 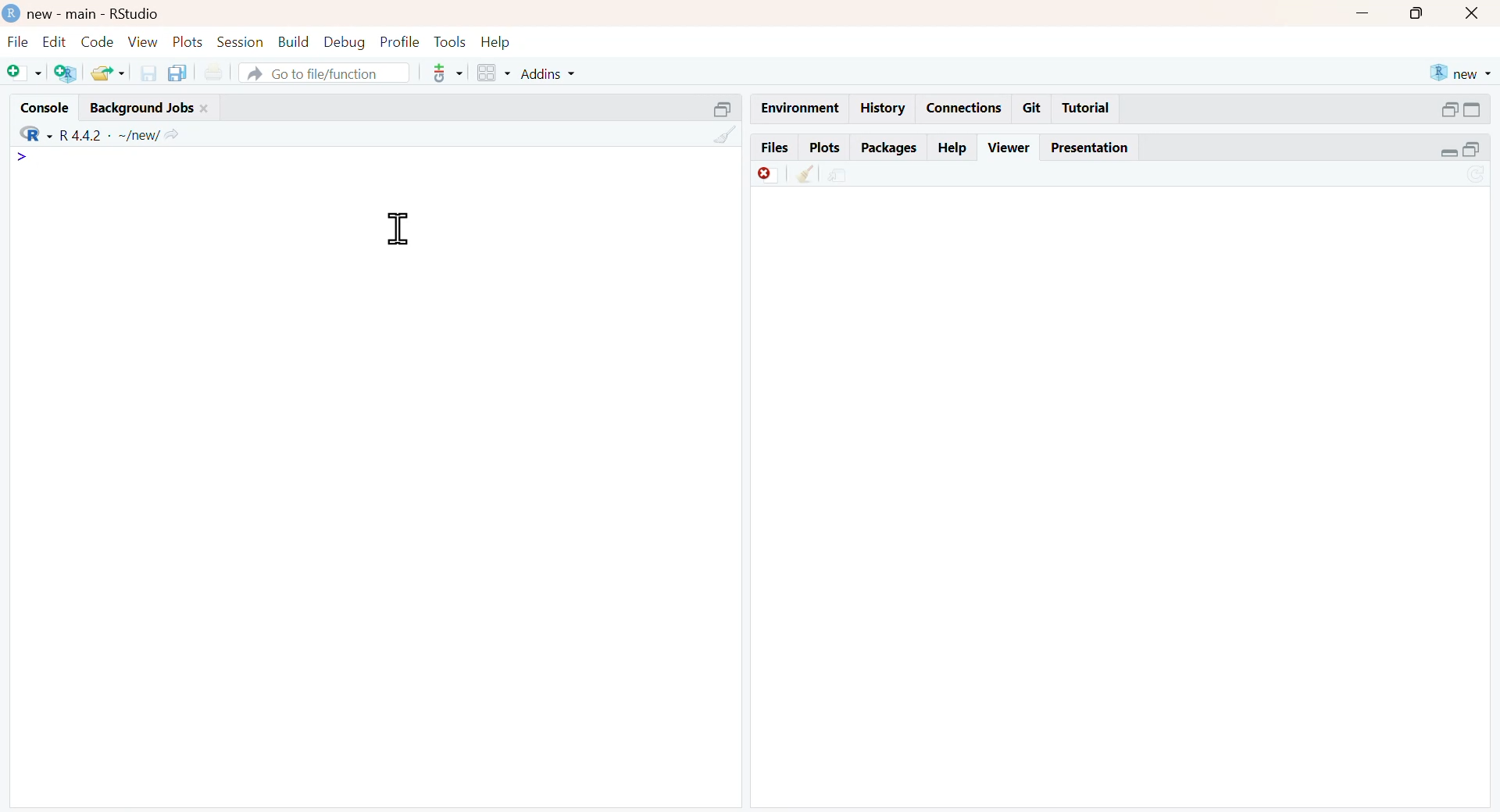 What do you see at coordinates (1462, 109) in the screenshot?
I see `minimize/maximize` at bounding box center [1462, 109].